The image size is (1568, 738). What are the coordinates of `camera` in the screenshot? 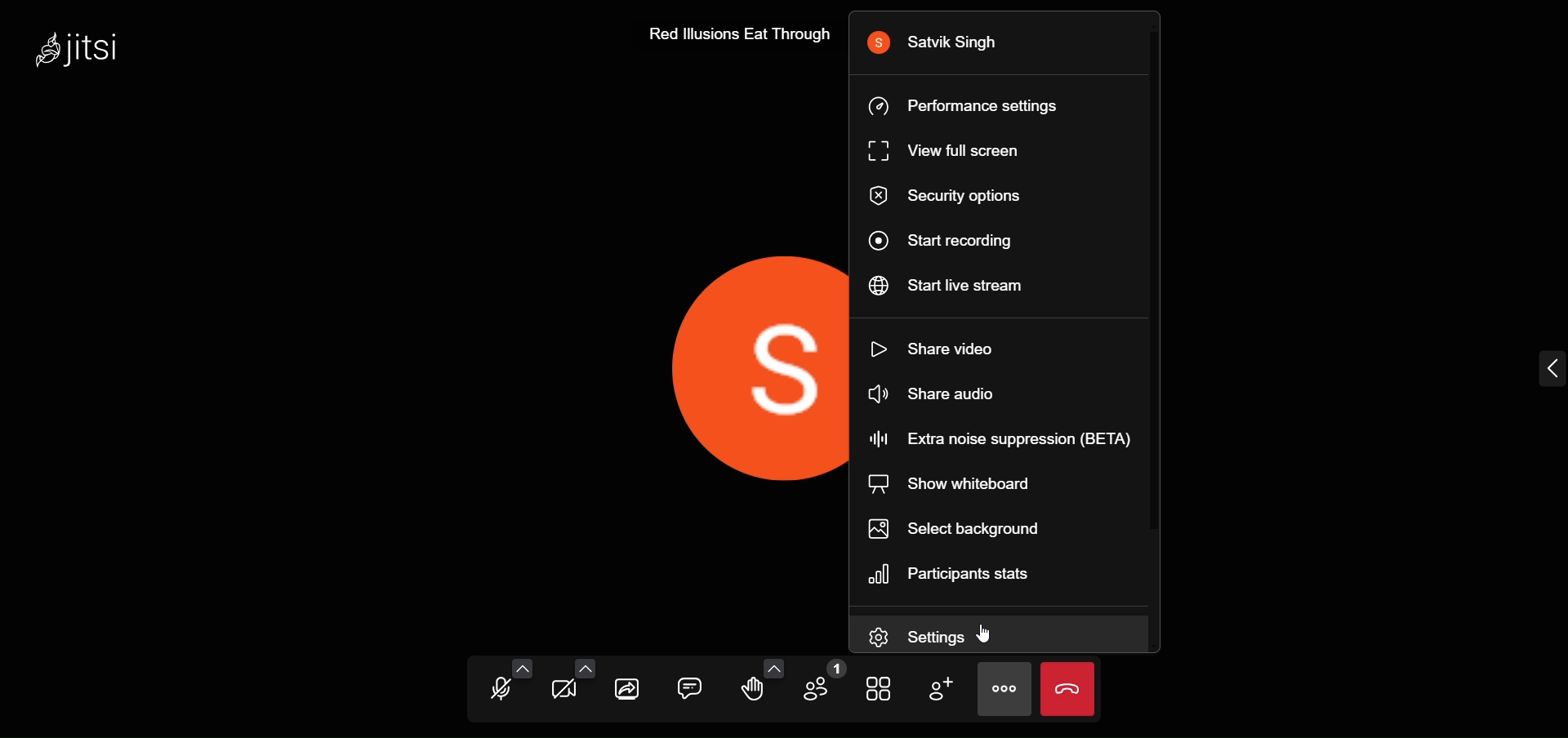 It's located at (563, 694).